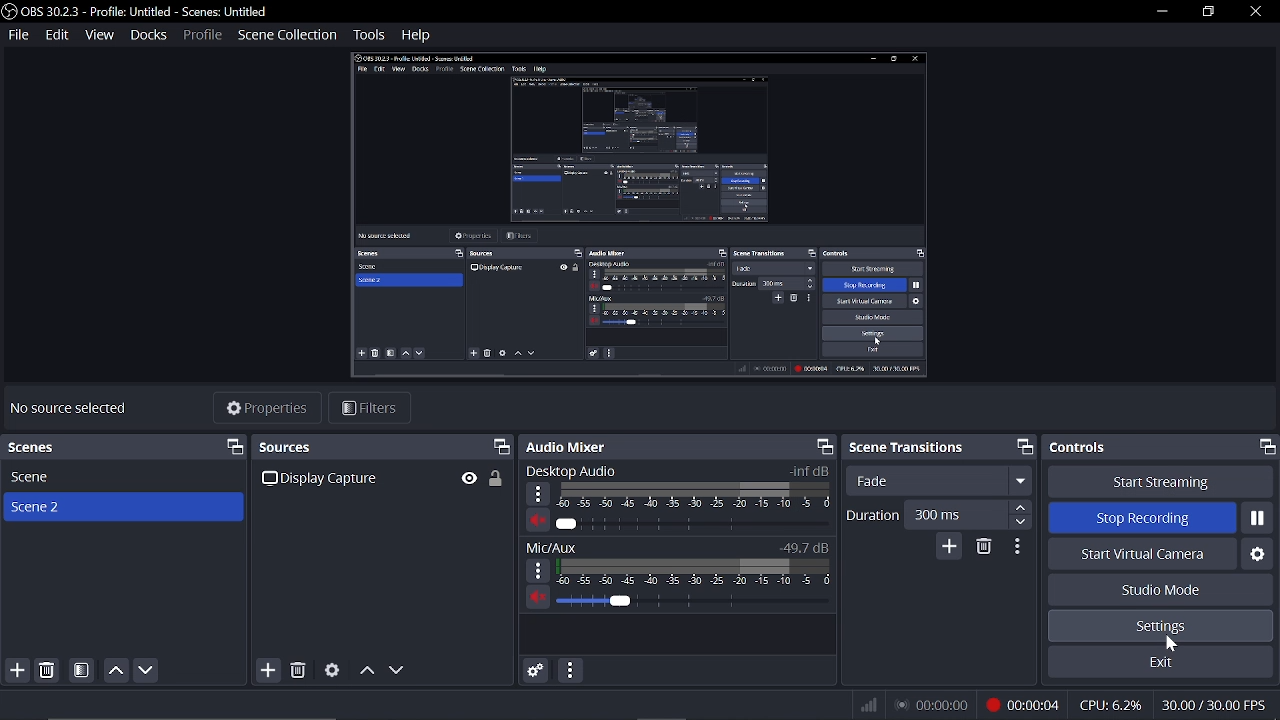  I want to click on Duration, so click(871, 514).